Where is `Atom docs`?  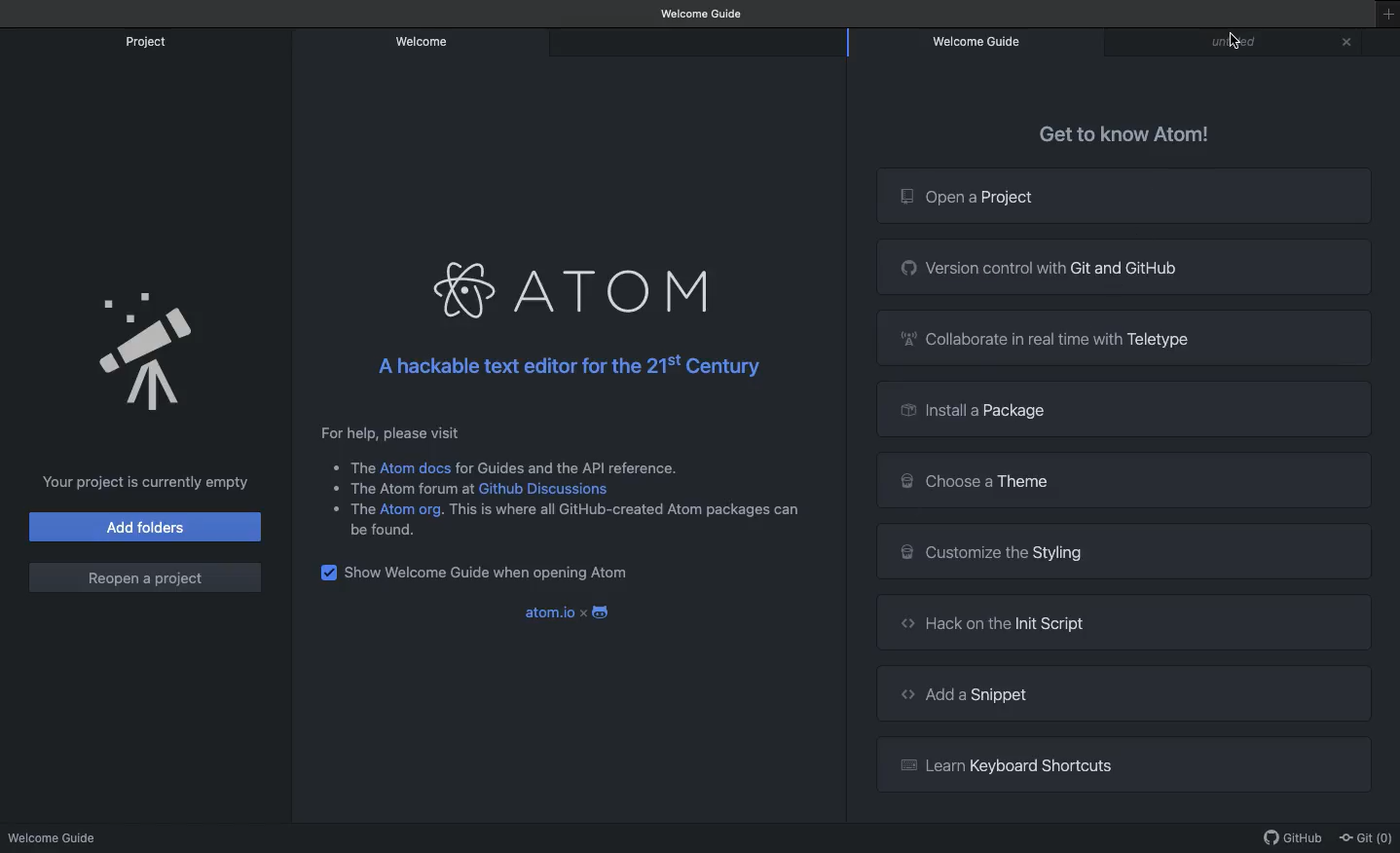
Atom docs is located at coordinates (417, 468).